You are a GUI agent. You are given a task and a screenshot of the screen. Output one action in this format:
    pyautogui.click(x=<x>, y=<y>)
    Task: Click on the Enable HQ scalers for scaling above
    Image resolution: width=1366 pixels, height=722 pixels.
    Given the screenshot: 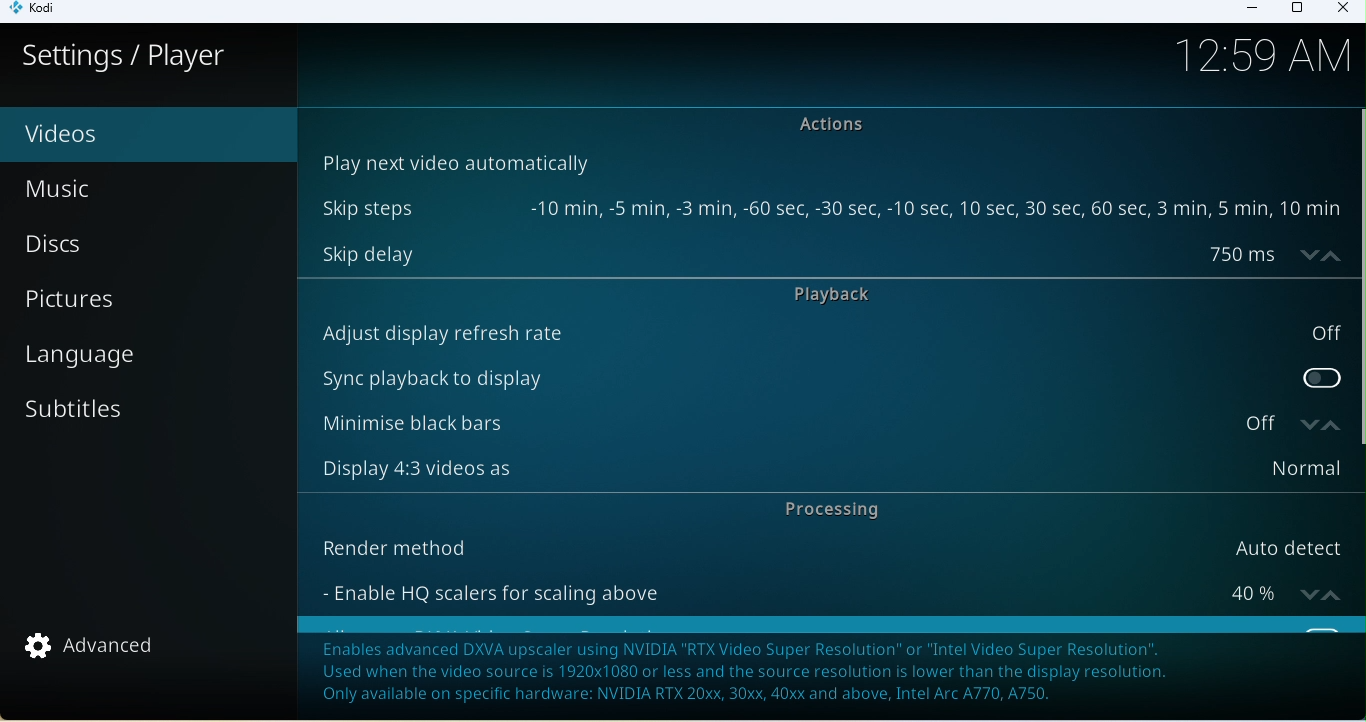 What is the action you would take?
    pyautogui.click(x=800, y=589)
    